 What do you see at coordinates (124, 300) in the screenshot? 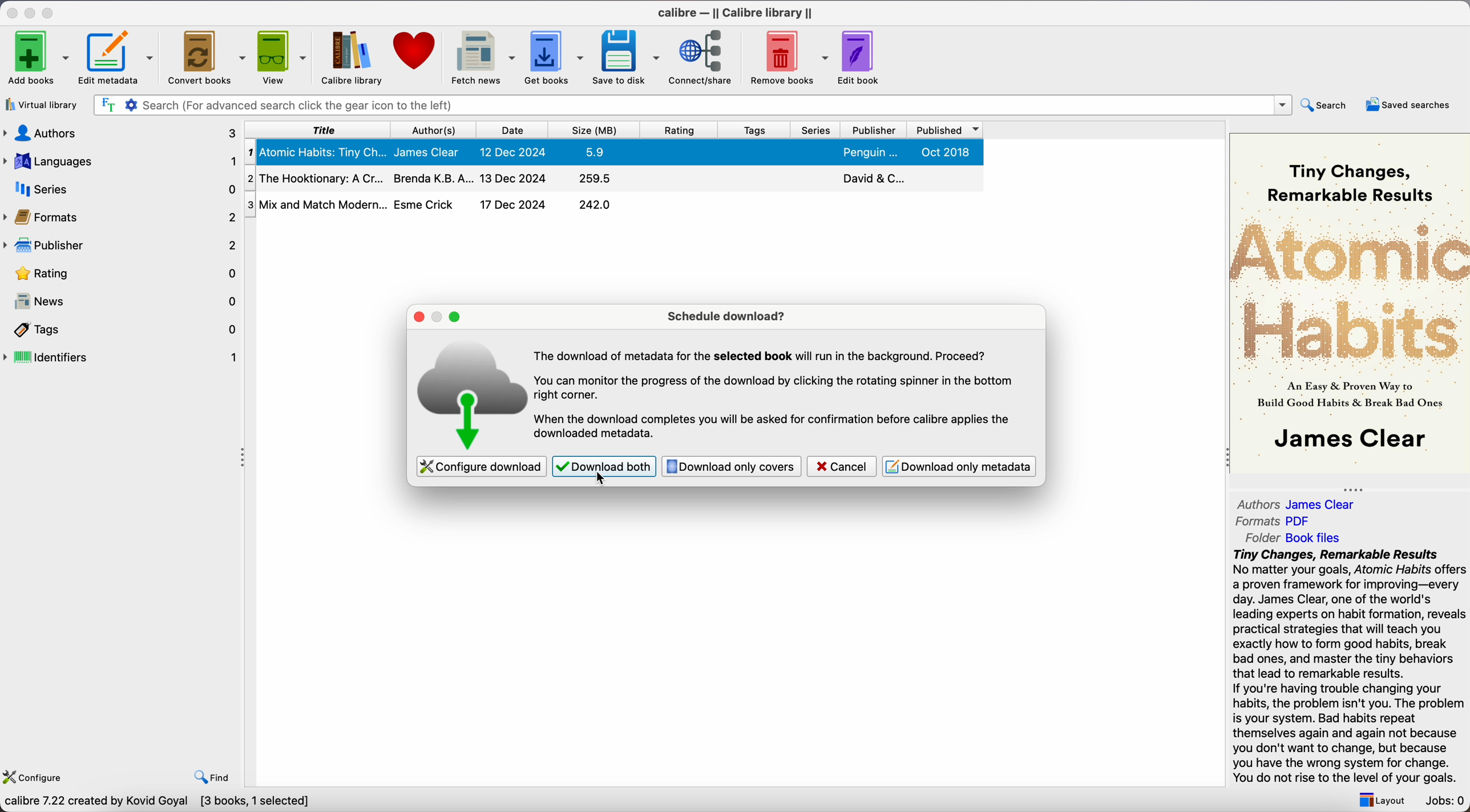
I see `news` at bounding box center [124, 300].